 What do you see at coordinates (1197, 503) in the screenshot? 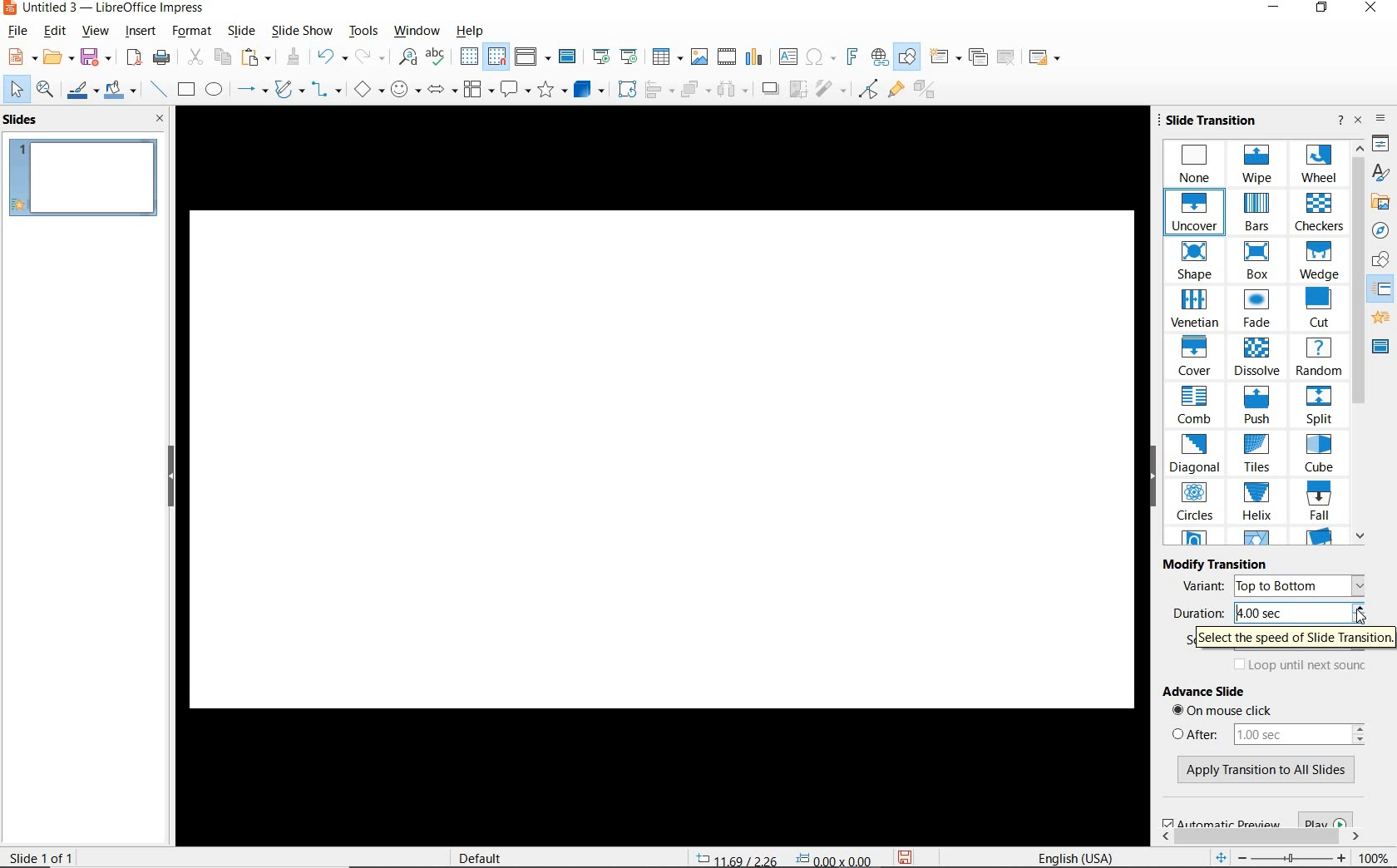
I see `CIRCLES` at bounding box center [1197, 503].